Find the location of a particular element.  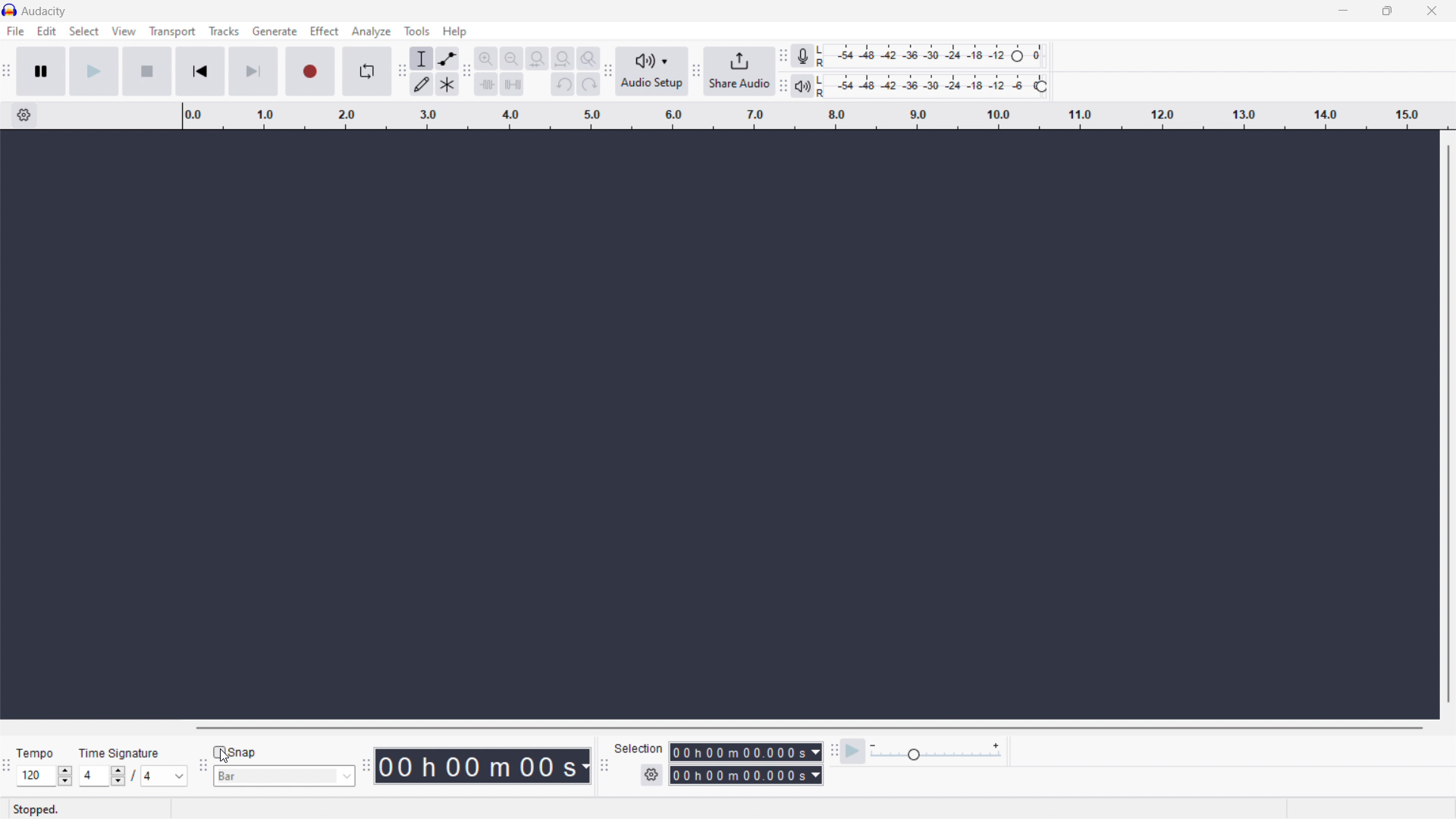

settings is located at coordinates (24, 115).